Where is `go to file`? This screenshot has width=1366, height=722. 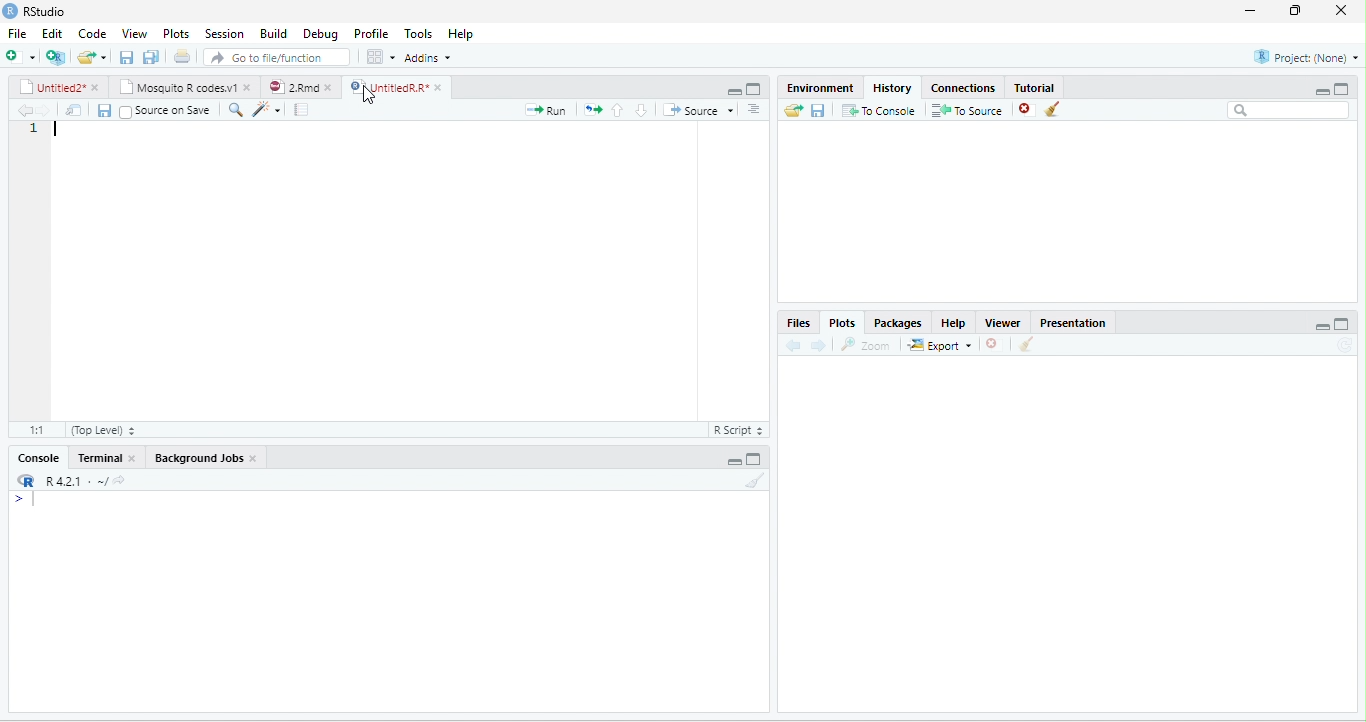
go to file is located at coordinates (278, 56).